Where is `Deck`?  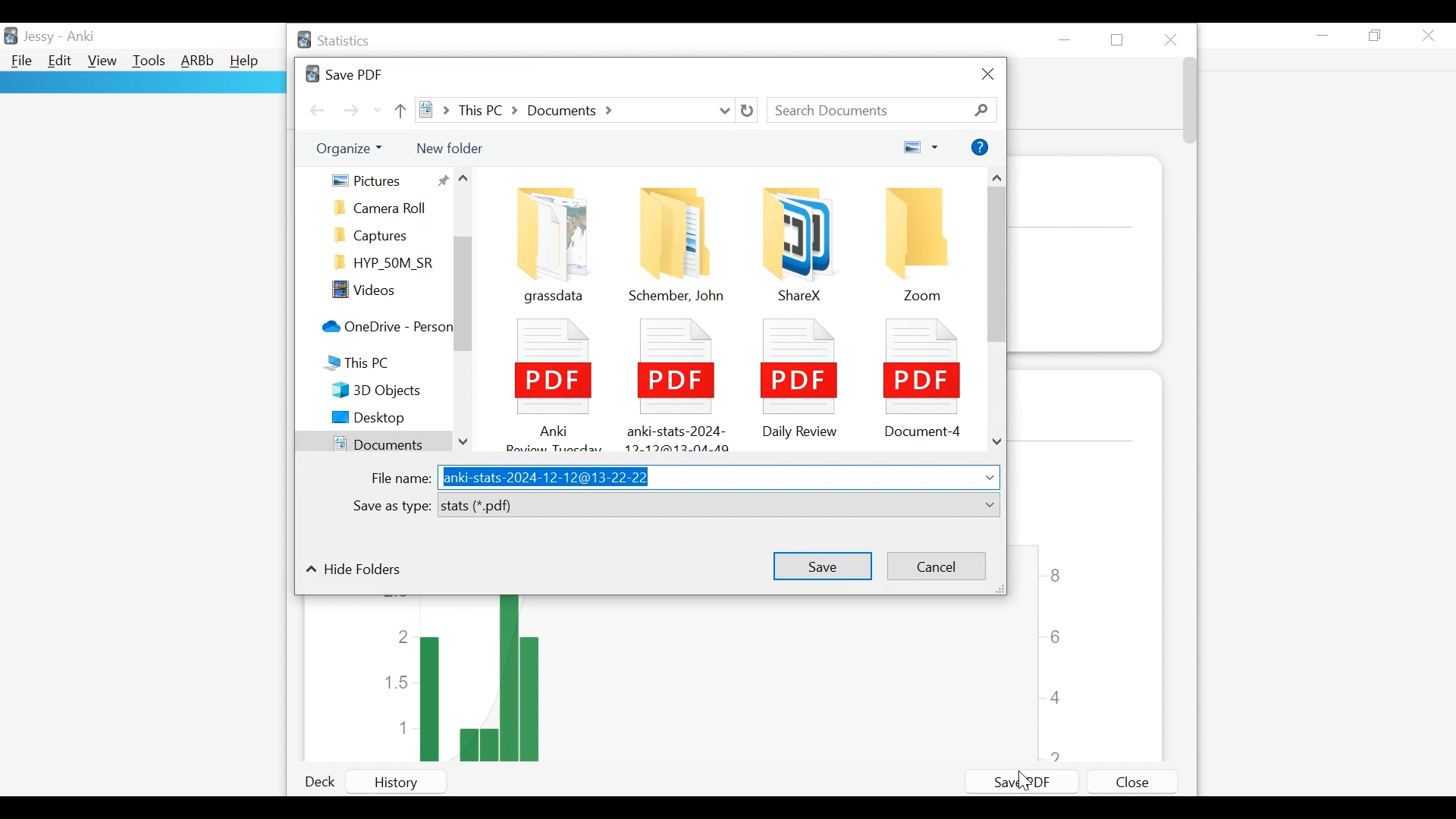
Deck is located at coordinates (325, 783).